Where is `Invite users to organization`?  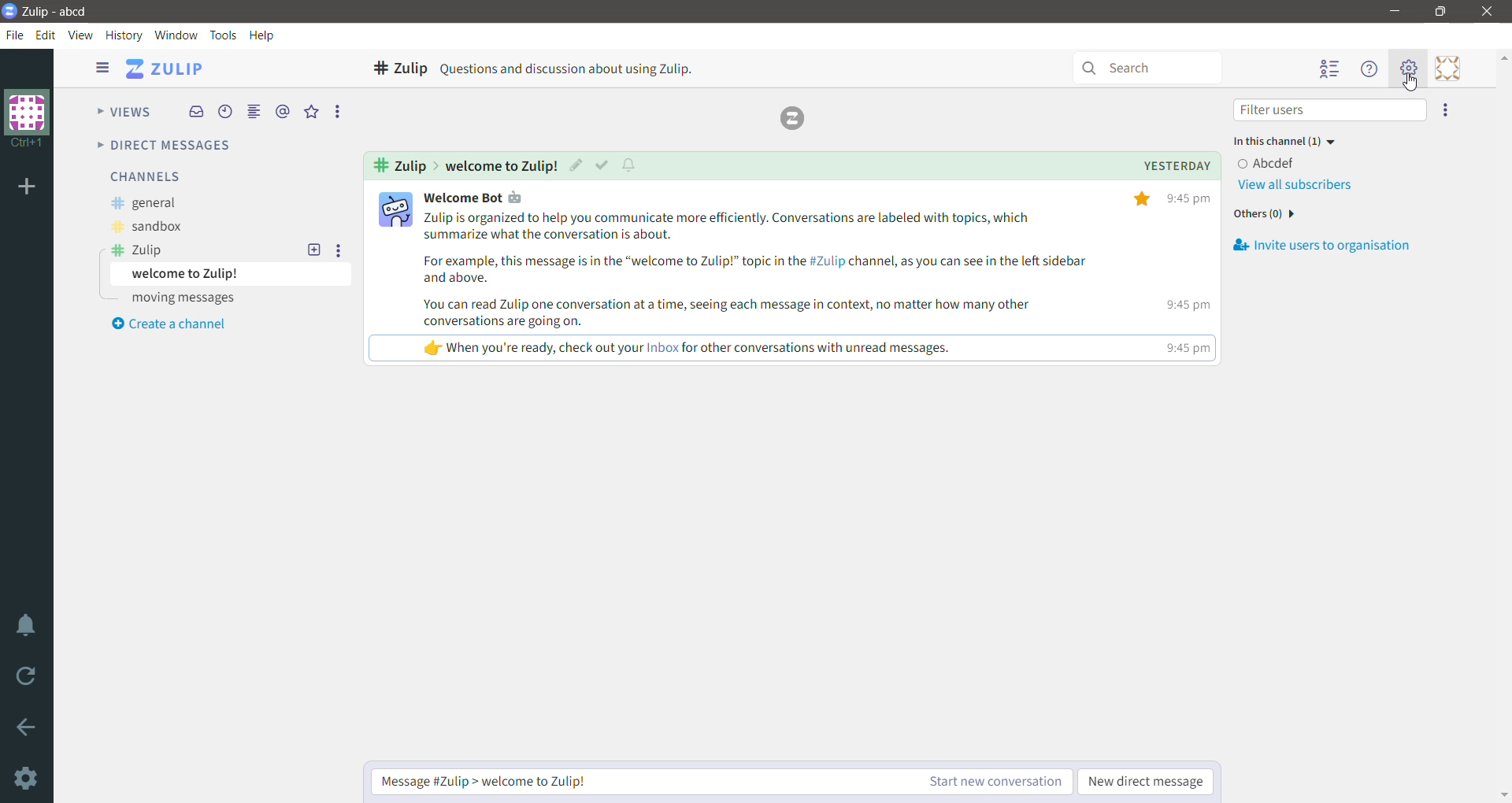
Invite users to organization is located at coordinates (1320, 246).